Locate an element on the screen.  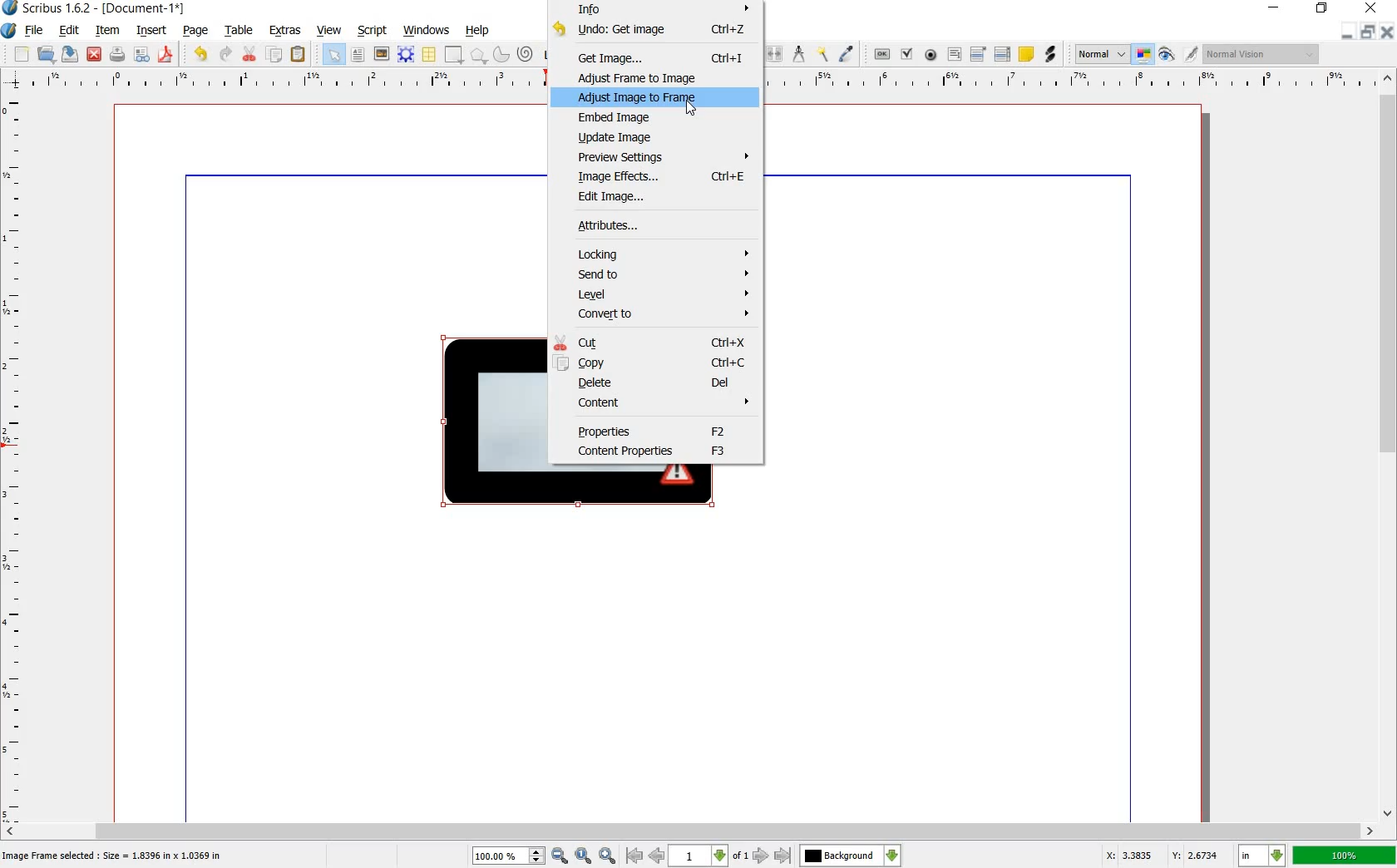
Warning is located at coordinates (684, 476).